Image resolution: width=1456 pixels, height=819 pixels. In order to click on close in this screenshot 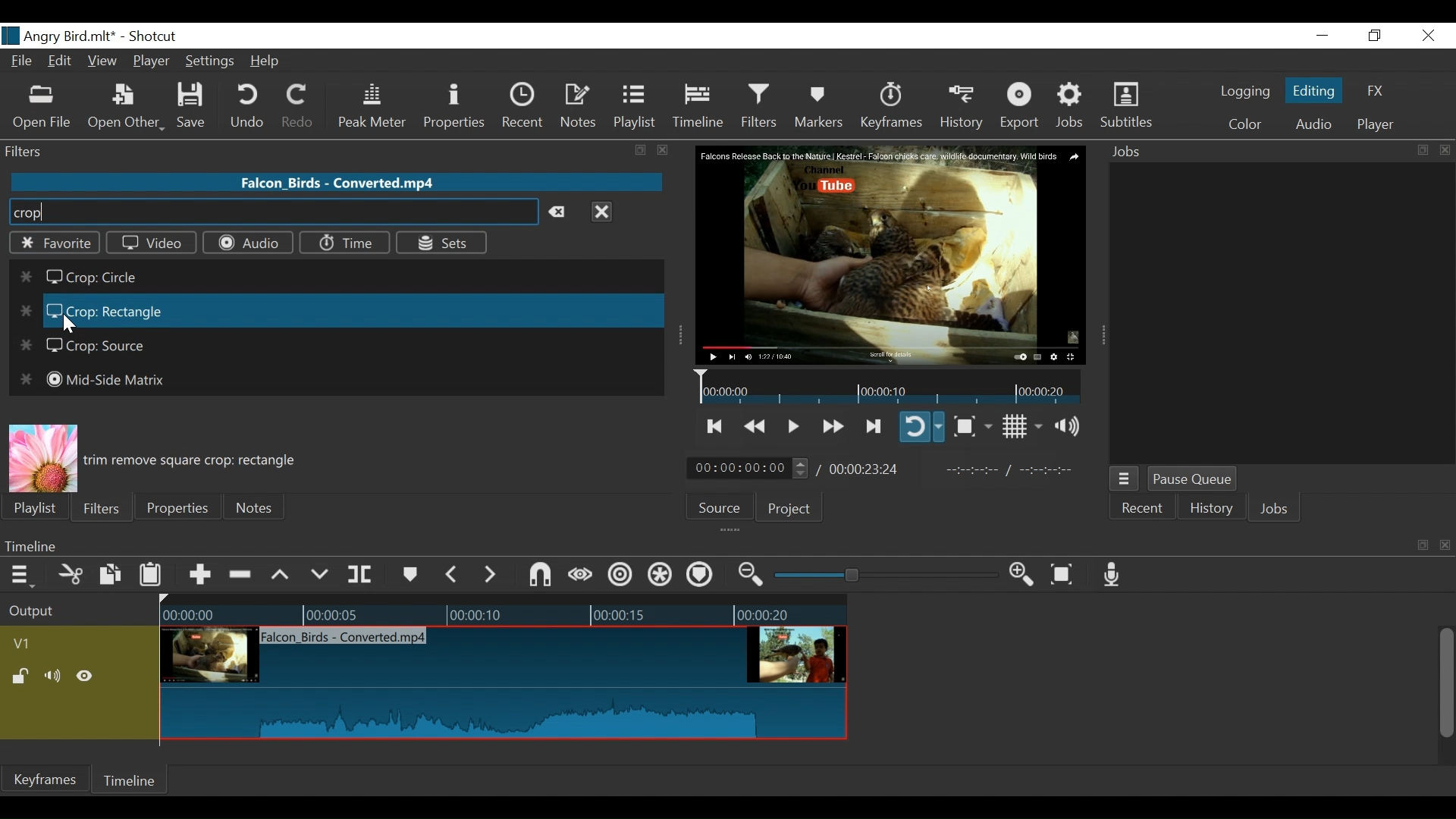, I will do `click(1445, 150)`.